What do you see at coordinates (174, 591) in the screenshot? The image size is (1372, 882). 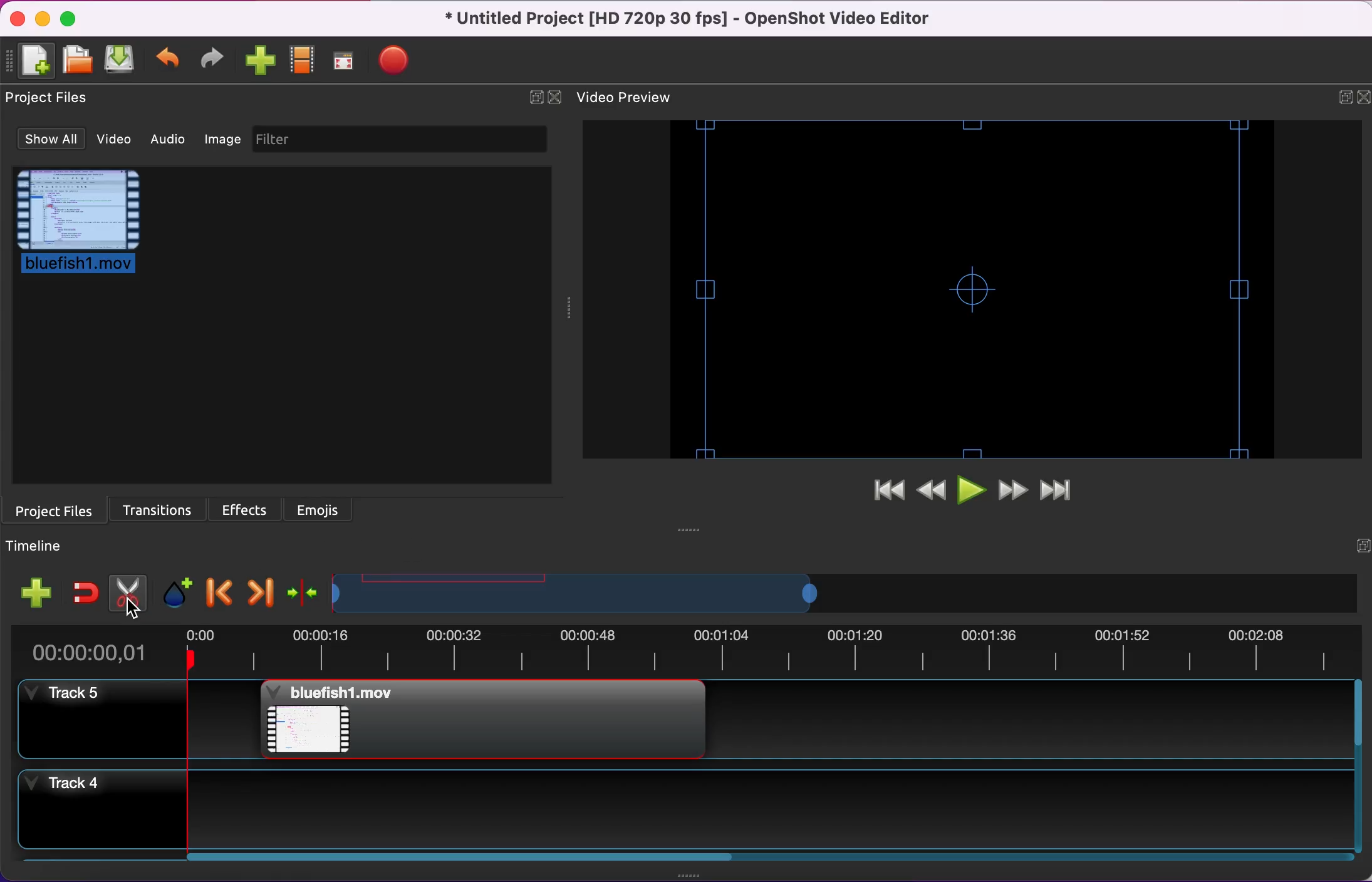 I see `add marker` at bounding box center [174, 591].